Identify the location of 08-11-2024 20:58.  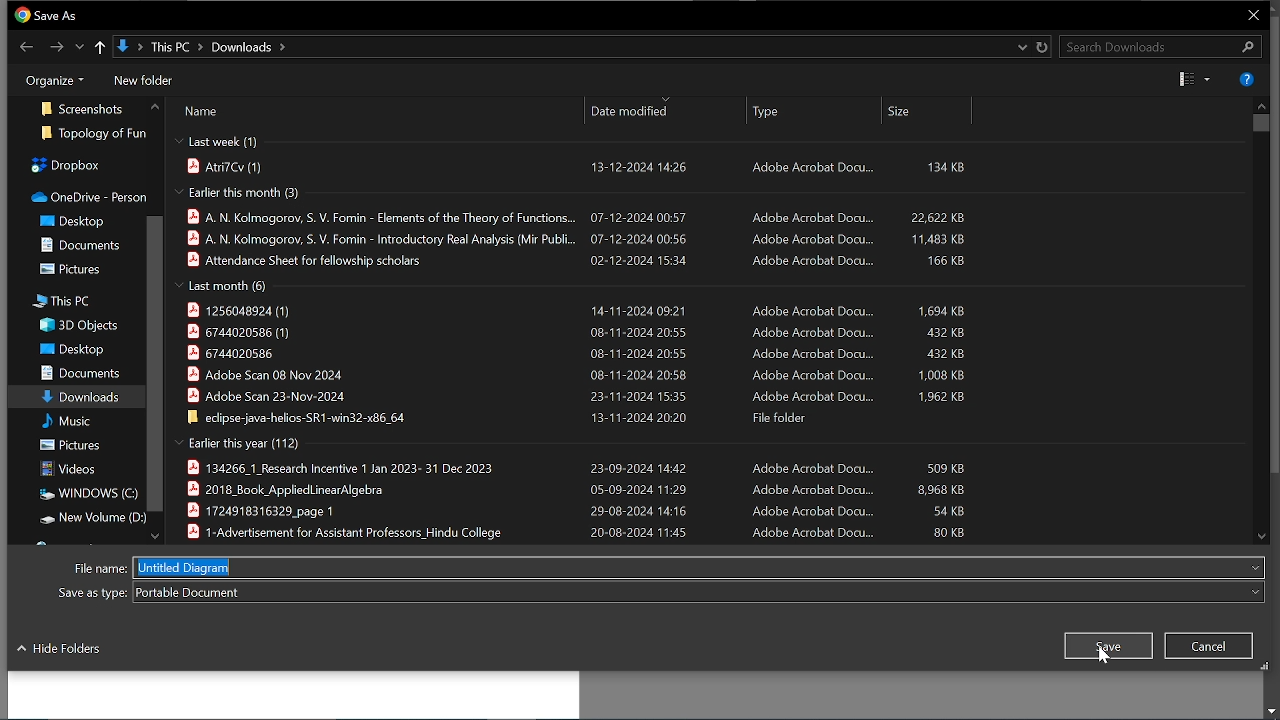
(632, 374).